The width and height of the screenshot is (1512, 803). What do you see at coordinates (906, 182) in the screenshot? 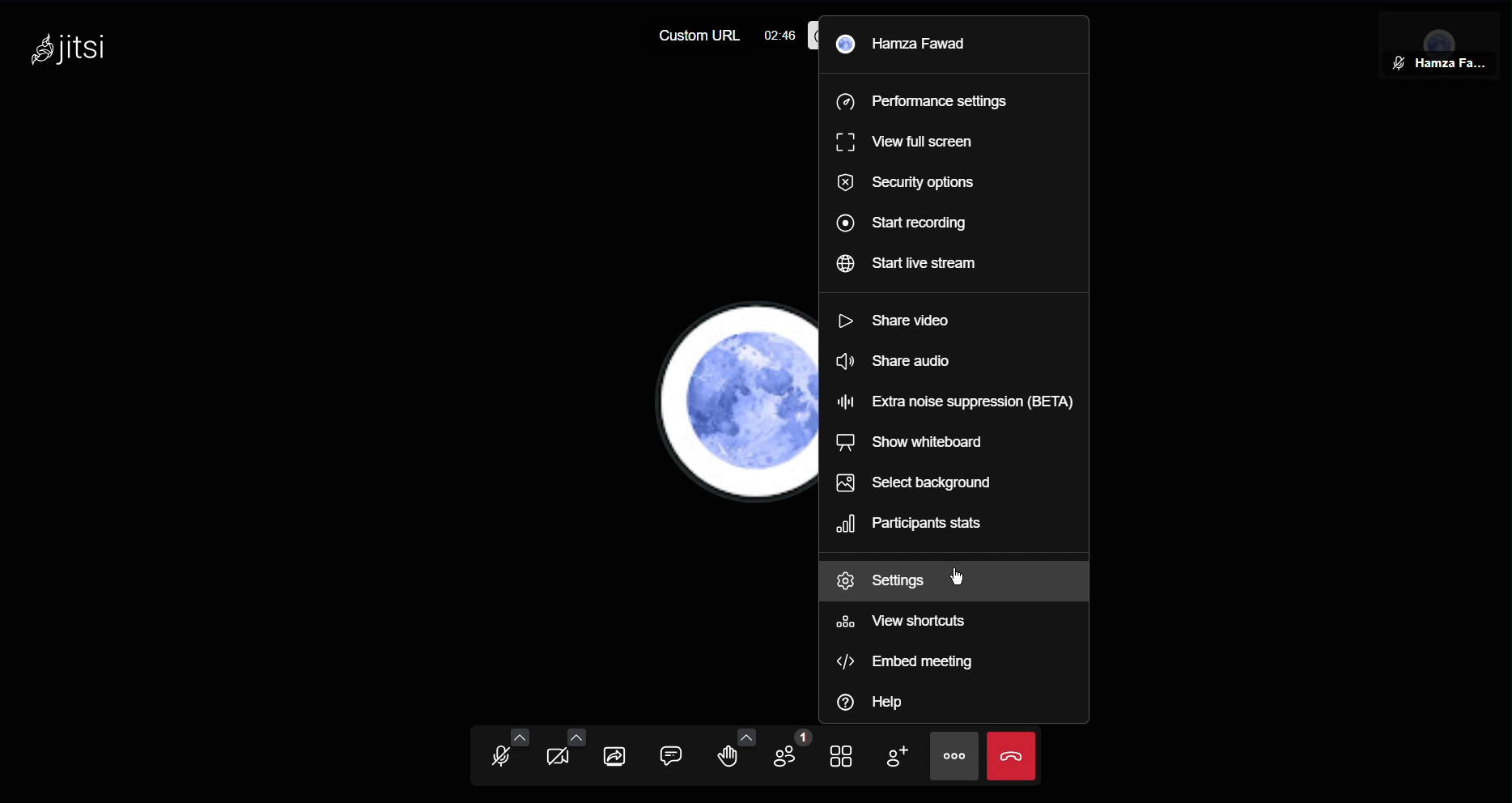
I see `Security` at bounding box center [906, 182].